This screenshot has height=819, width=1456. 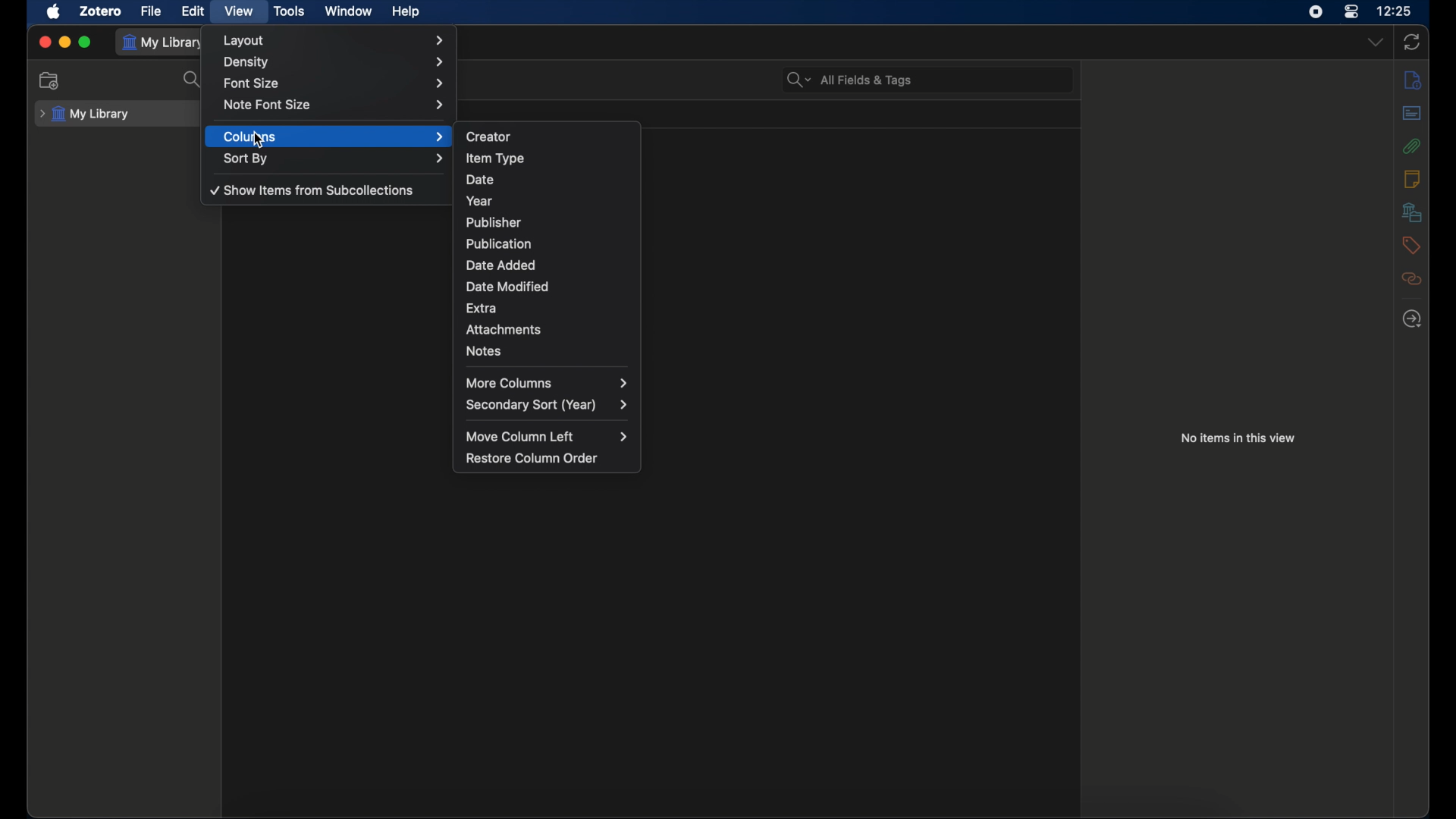 What do you see at coordinates (547, 436) in the screenshot?
I see `move column left` at bounding box center [547, 436].